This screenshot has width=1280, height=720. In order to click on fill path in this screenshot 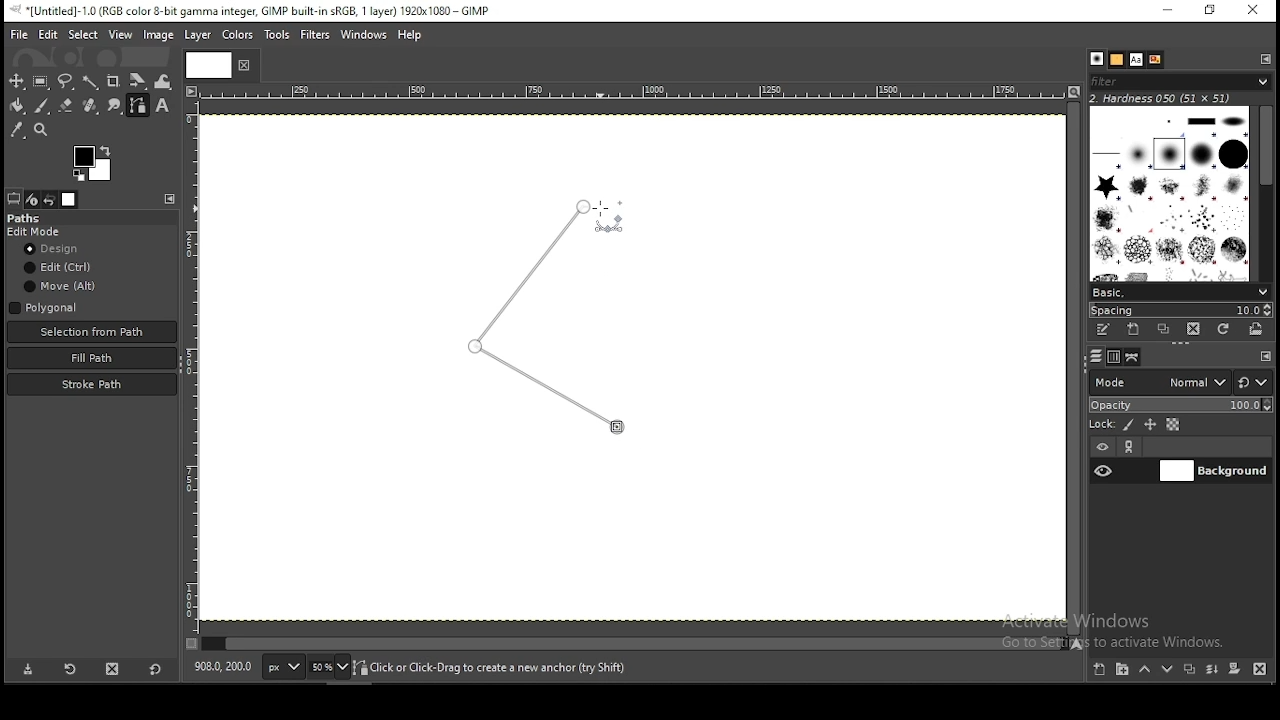, I will do `click(92, 357)`.